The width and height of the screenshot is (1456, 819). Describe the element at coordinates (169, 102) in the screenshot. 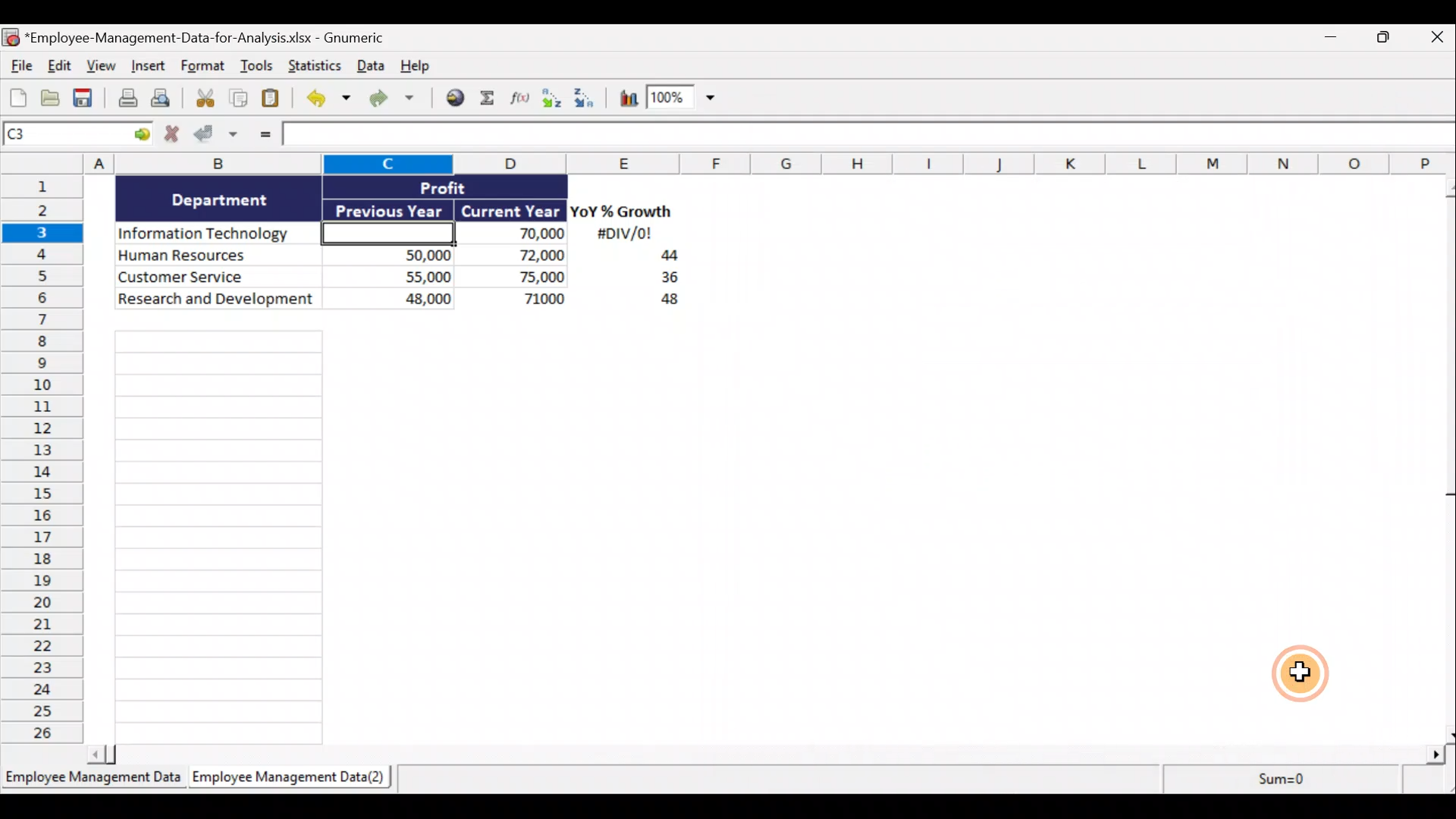

I see `Print preview` at that location.